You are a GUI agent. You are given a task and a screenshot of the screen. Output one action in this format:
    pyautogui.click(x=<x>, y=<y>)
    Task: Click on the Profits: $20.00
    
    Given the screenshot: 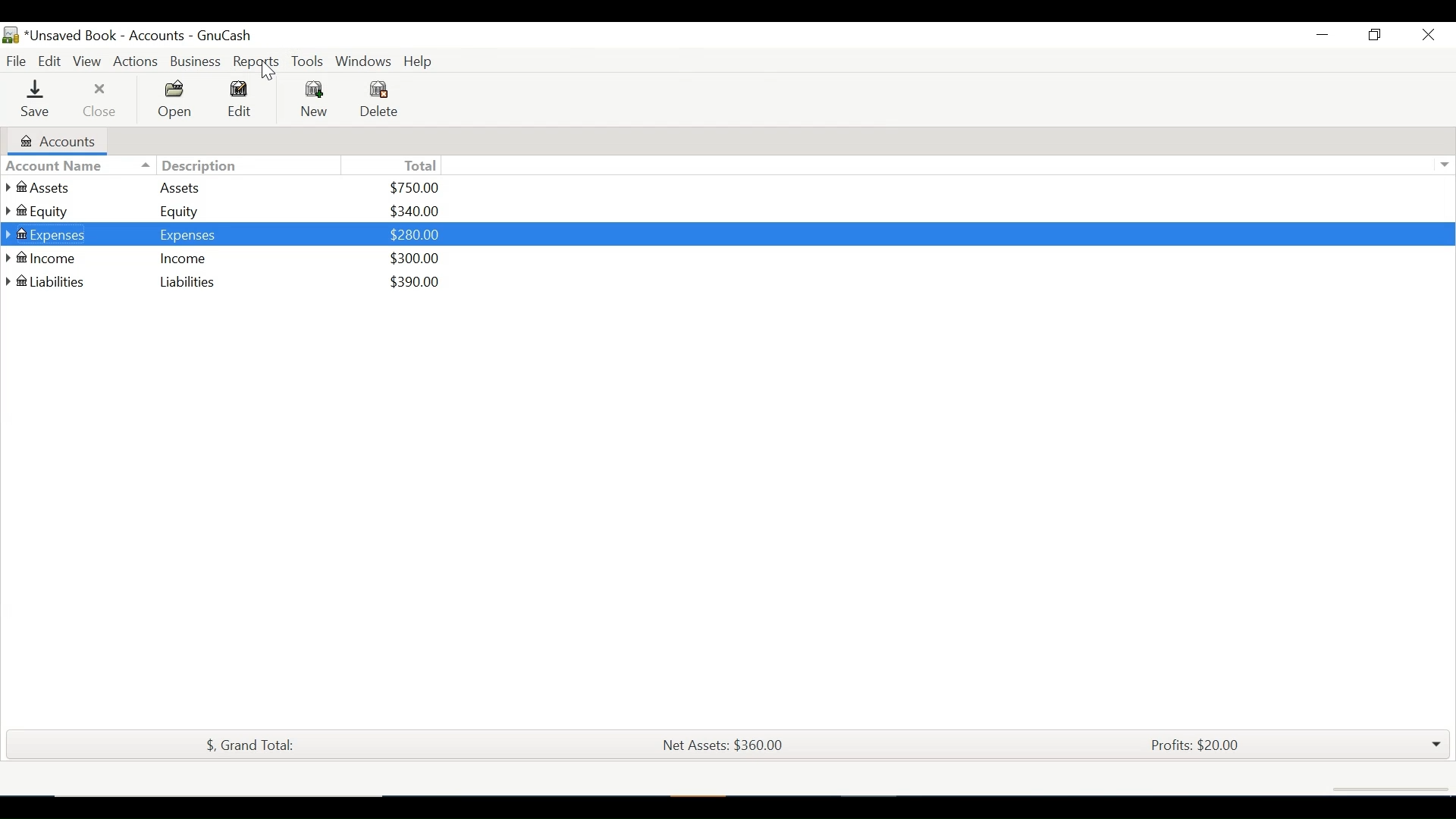 What is the action you would take?
    pyautogui.click(x=1197, y=744)
    